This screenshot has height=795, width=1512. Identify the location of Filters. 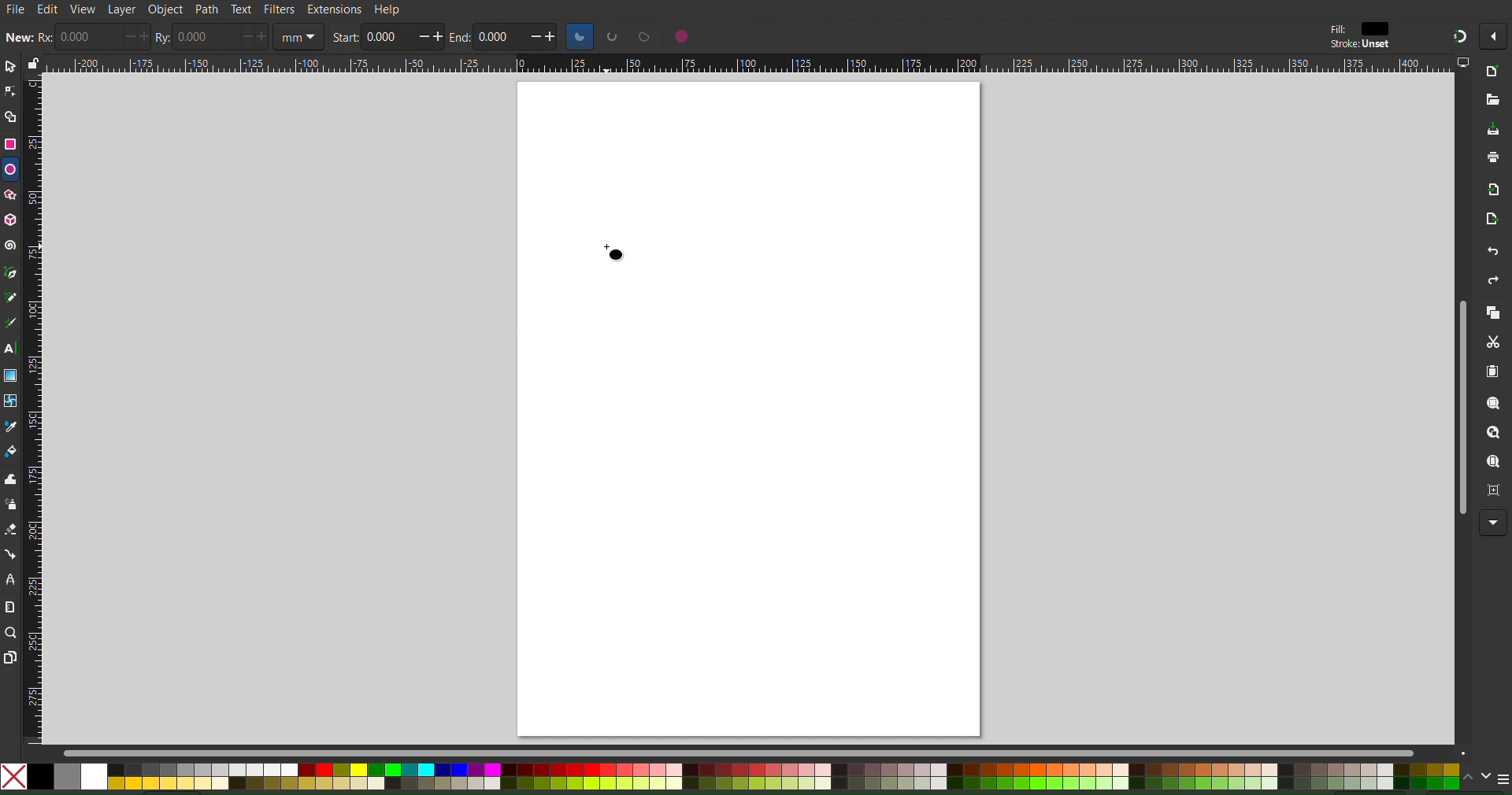
(278, 9).